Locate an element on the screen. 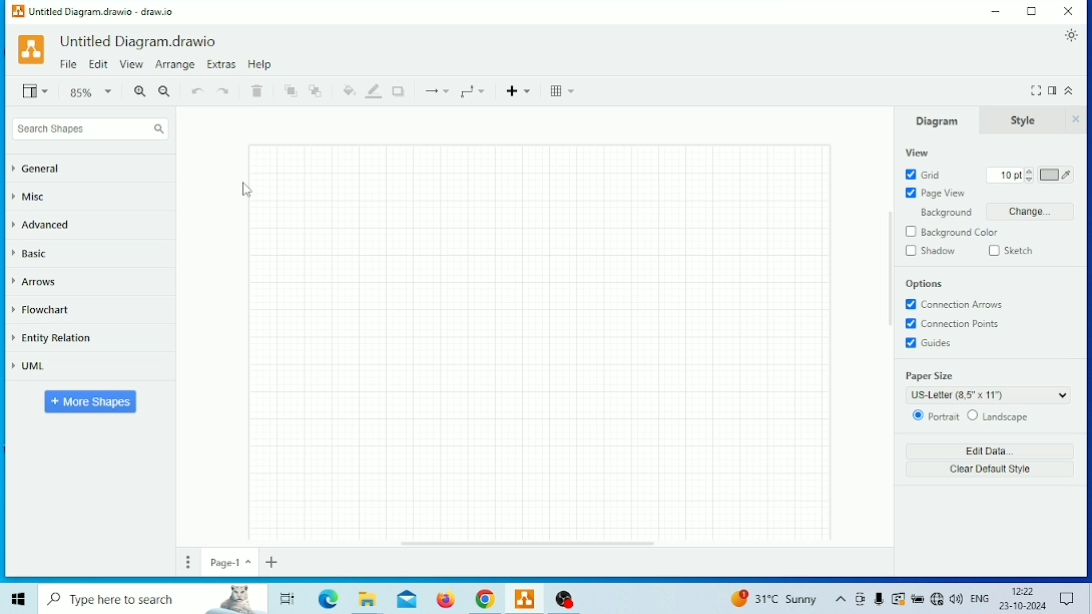 This screenshot has width=1092, height=614. cursor is located at coordinates (246, 191).